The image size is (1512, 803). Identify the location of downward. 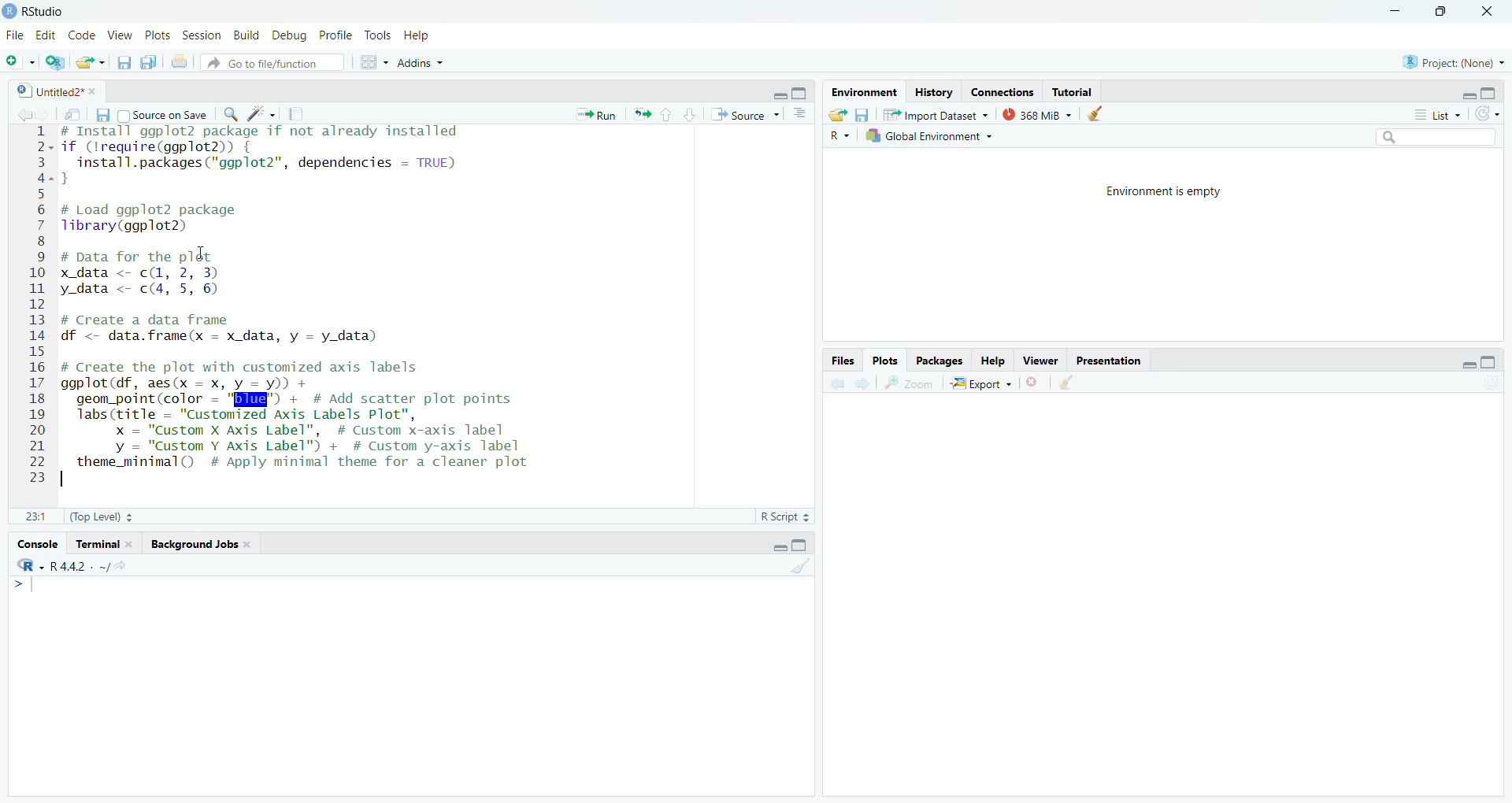
(691, 117).